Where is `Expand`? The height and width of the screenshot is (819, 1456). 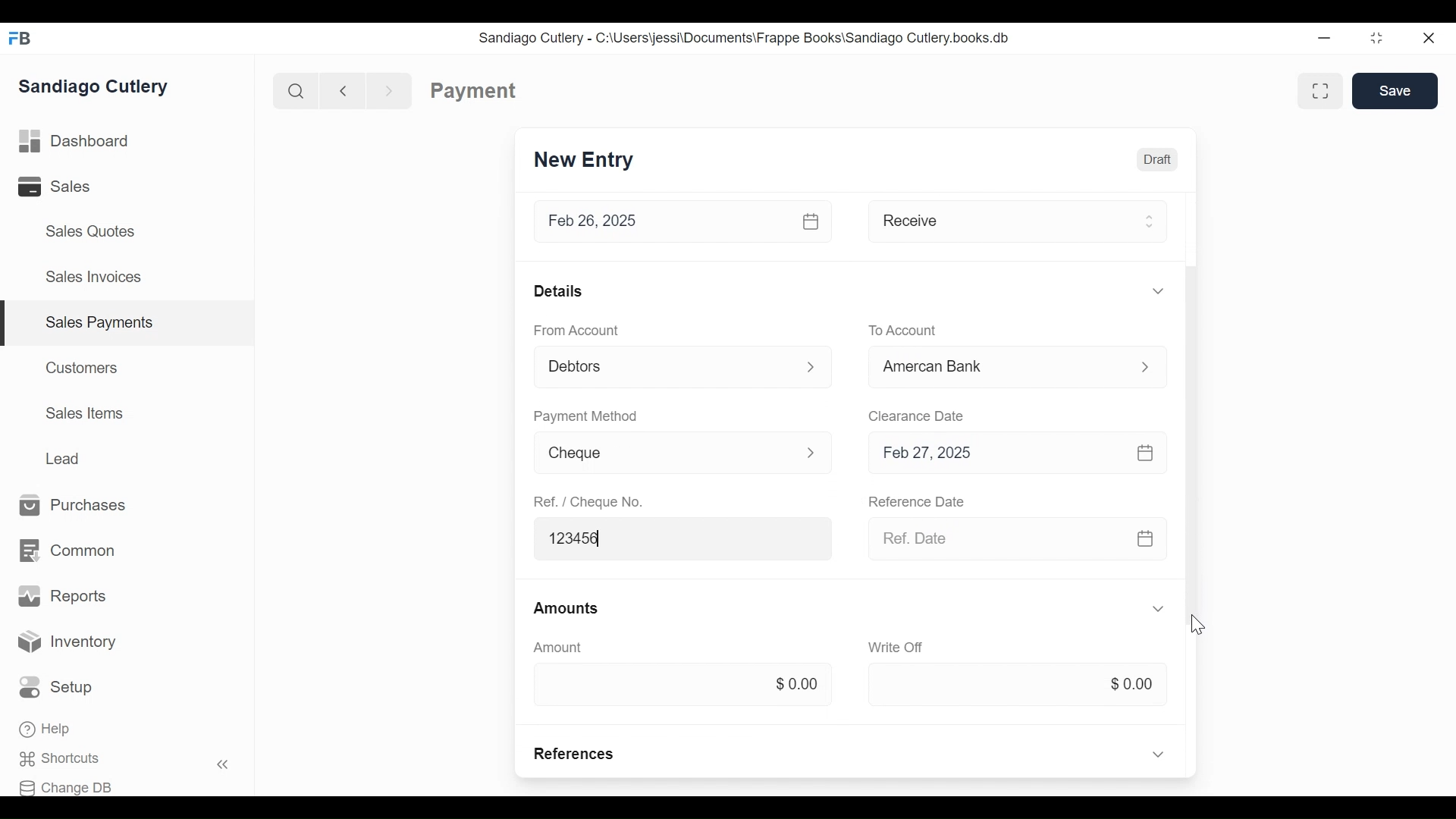
Expand is located at coordinates (1158, 753).